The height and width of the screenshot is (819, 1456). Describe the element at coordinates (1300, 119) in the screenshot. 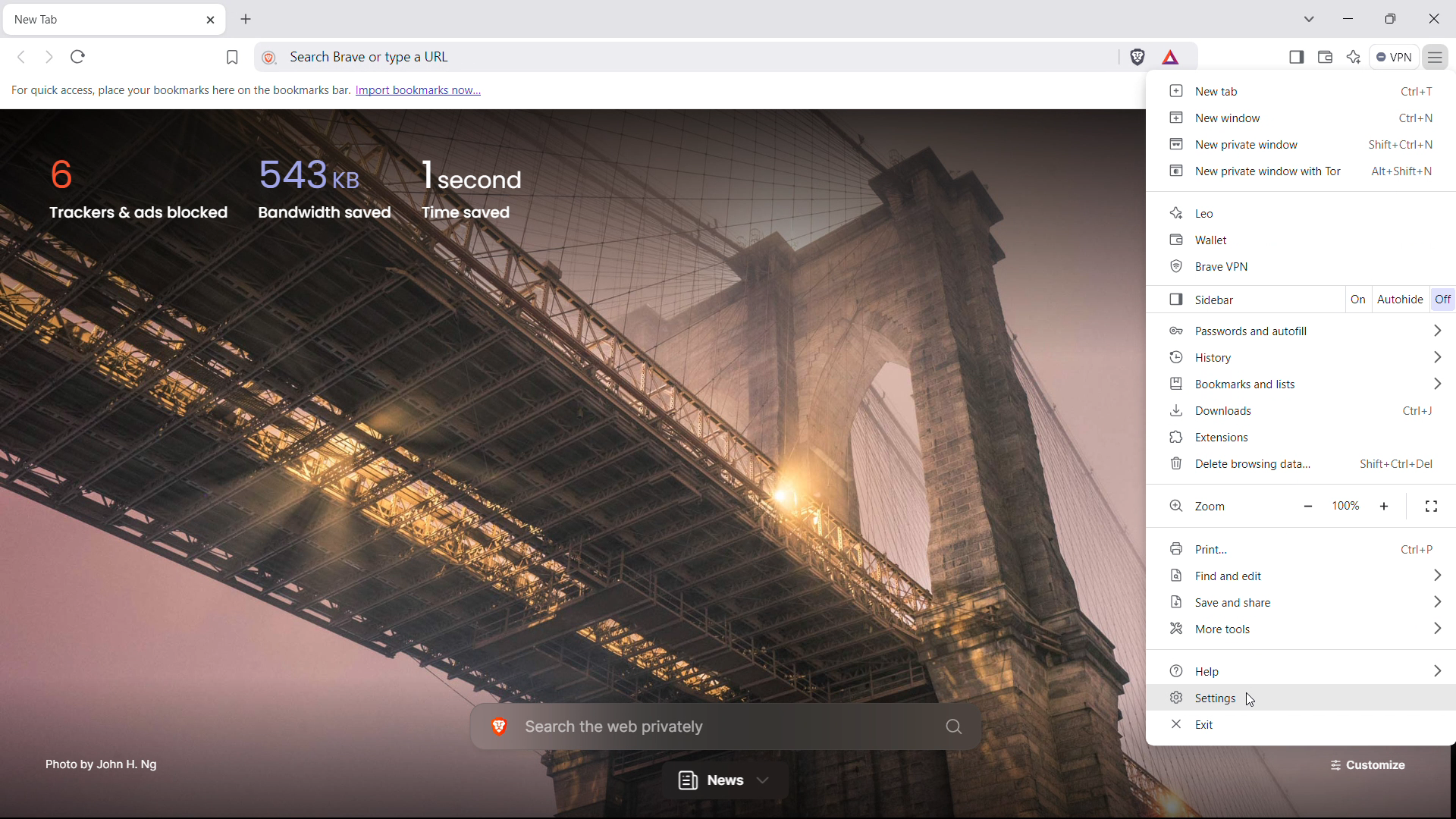

I see `new window` at that location.